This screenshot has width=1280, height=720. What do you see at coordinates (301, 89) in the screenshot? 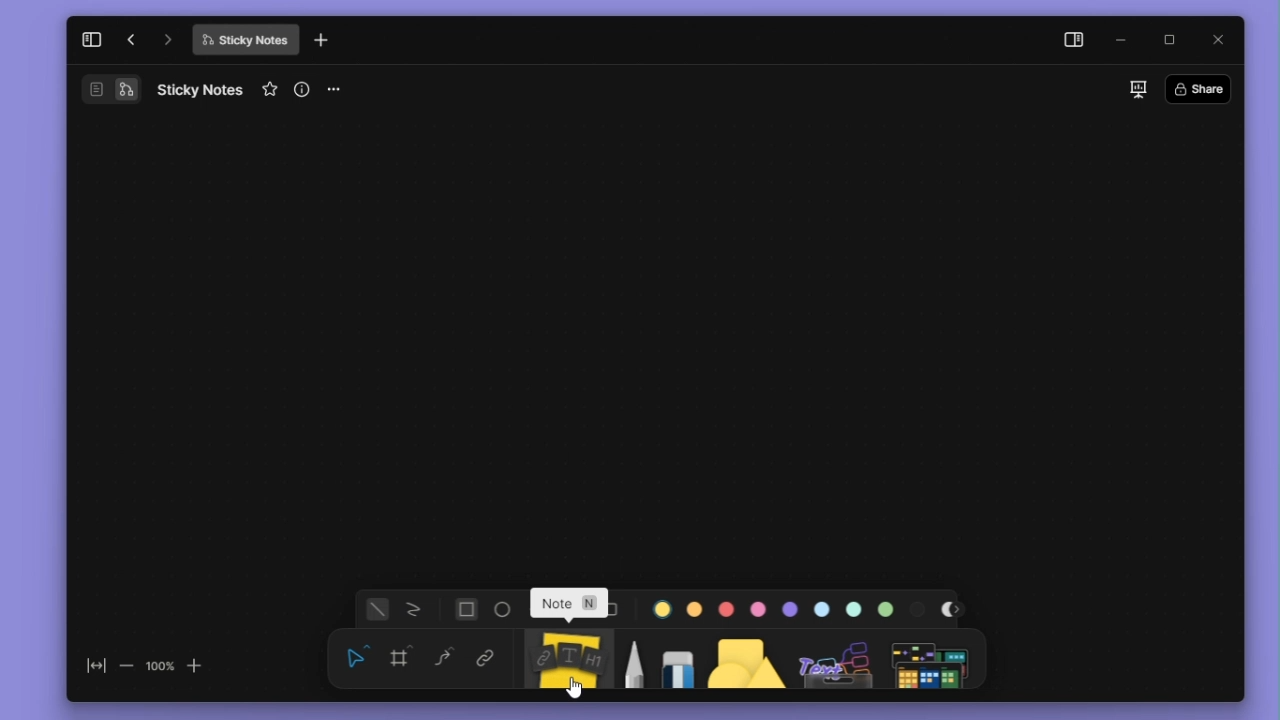
I see `view info` at bounding box center [301, 89].